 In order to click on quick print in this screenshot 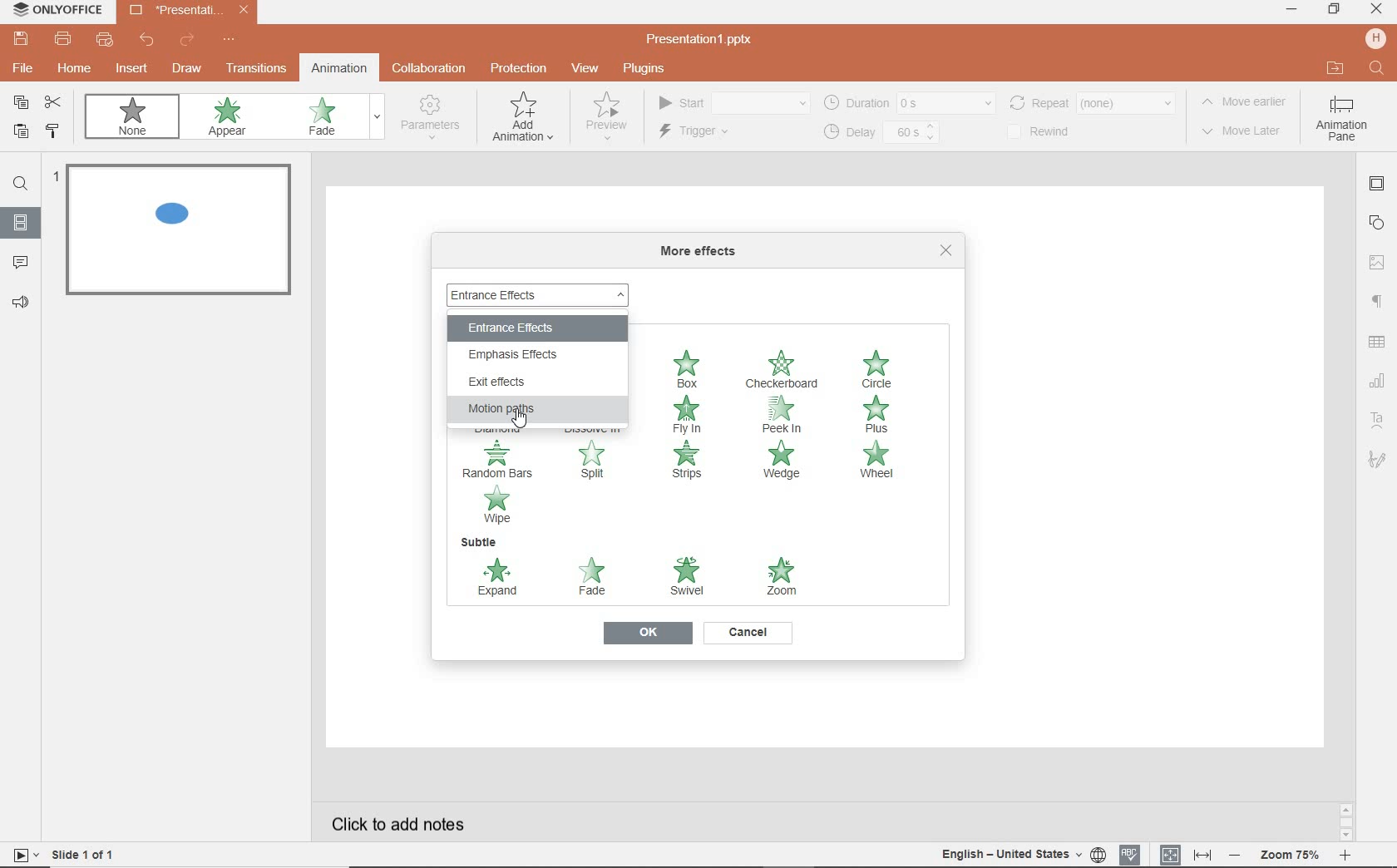, I will do `click(106, 42)`.